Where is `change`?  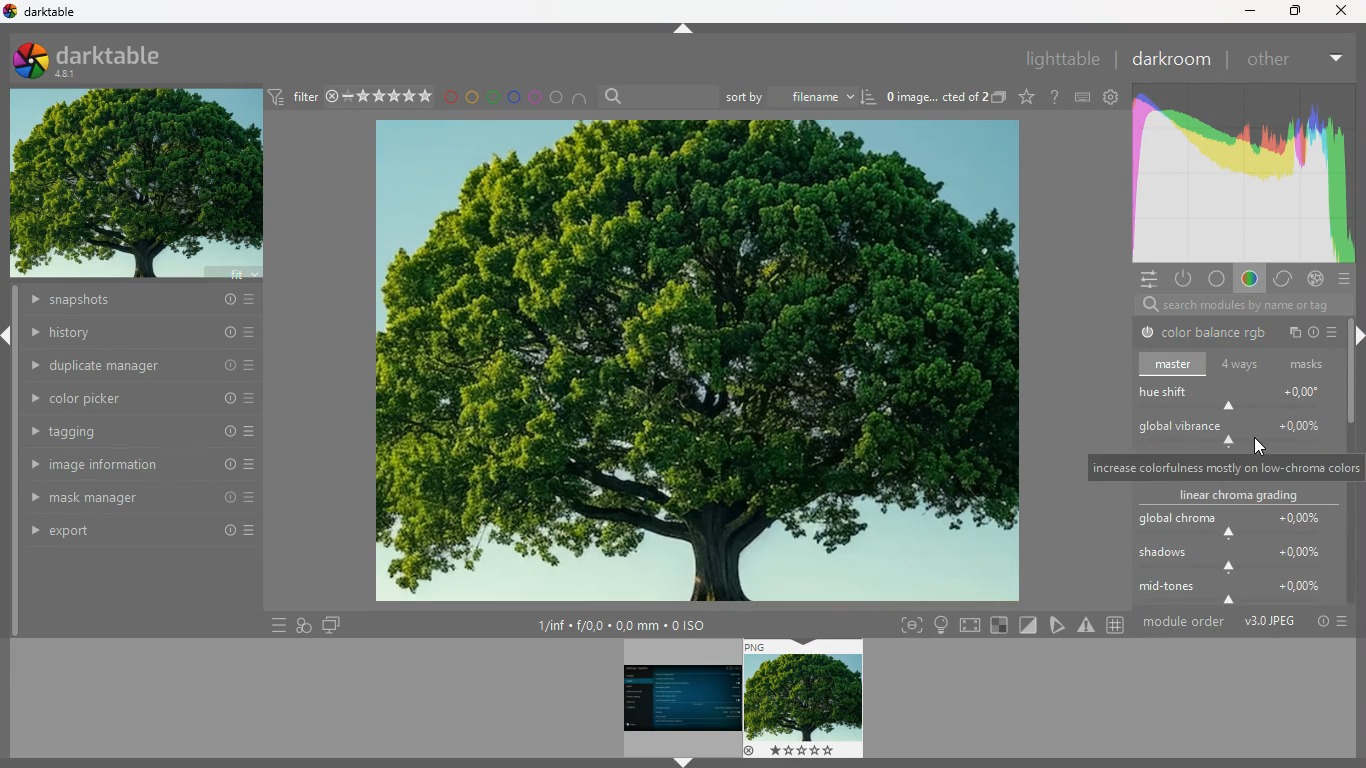
change is located at coordinates (1281, 280).